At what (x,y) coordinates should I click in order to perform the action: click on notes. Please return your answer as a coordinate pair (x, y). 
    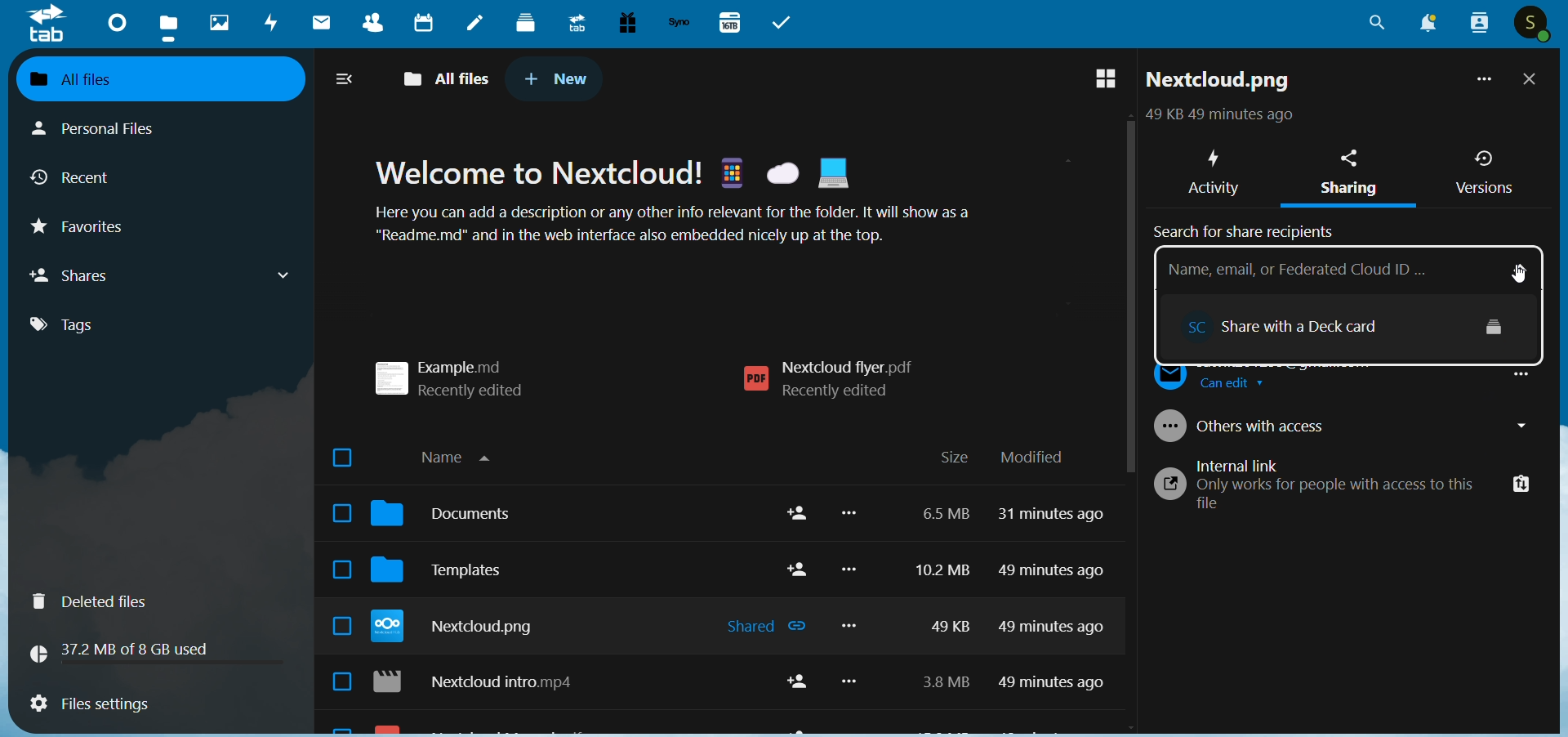
    Looking at the image, I should click on (475, 25).